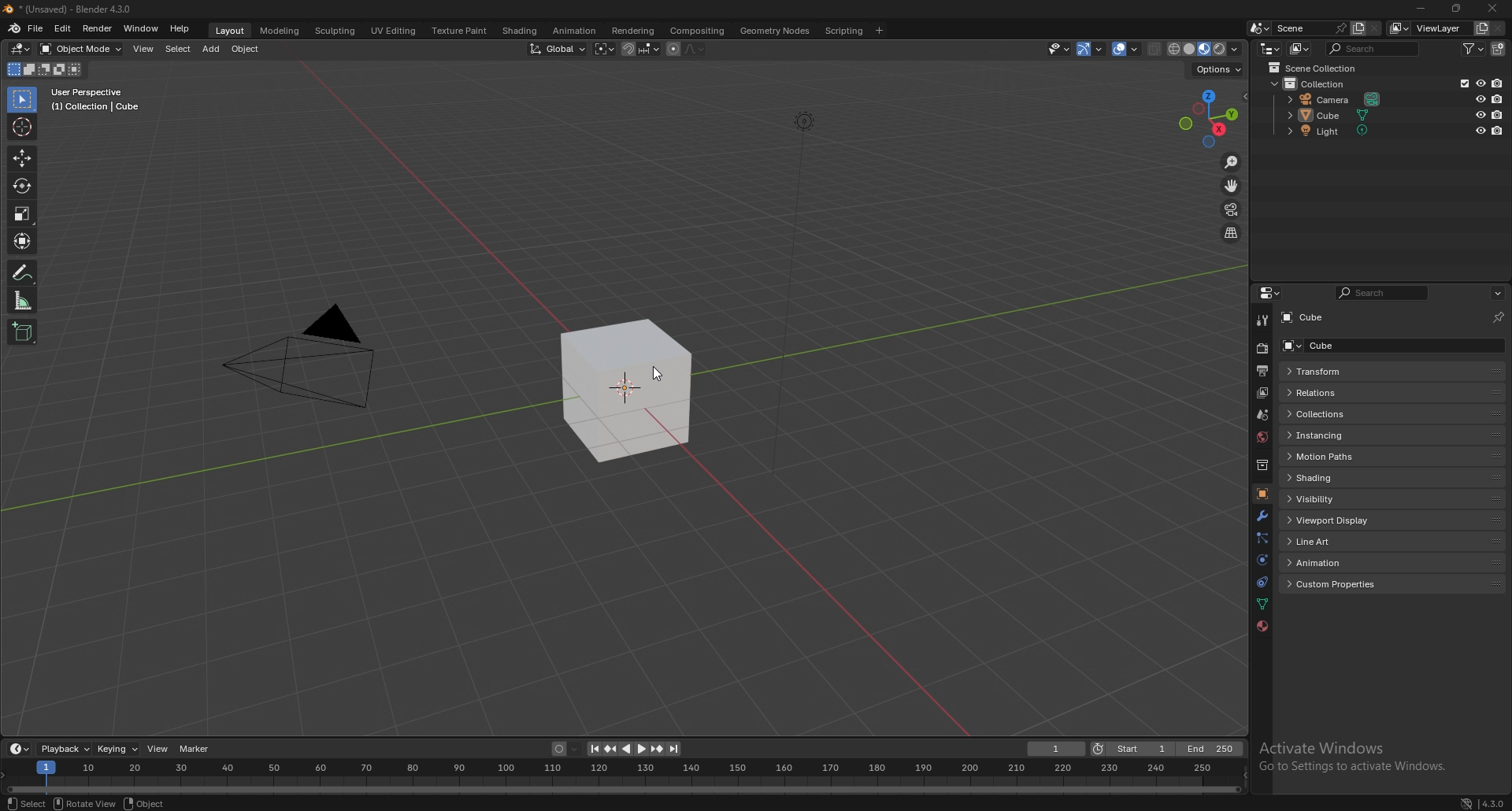  What do you see at coordinates (1128, 49) in the screenshot?
I see `overlay` at bounding box center [1128, 49].